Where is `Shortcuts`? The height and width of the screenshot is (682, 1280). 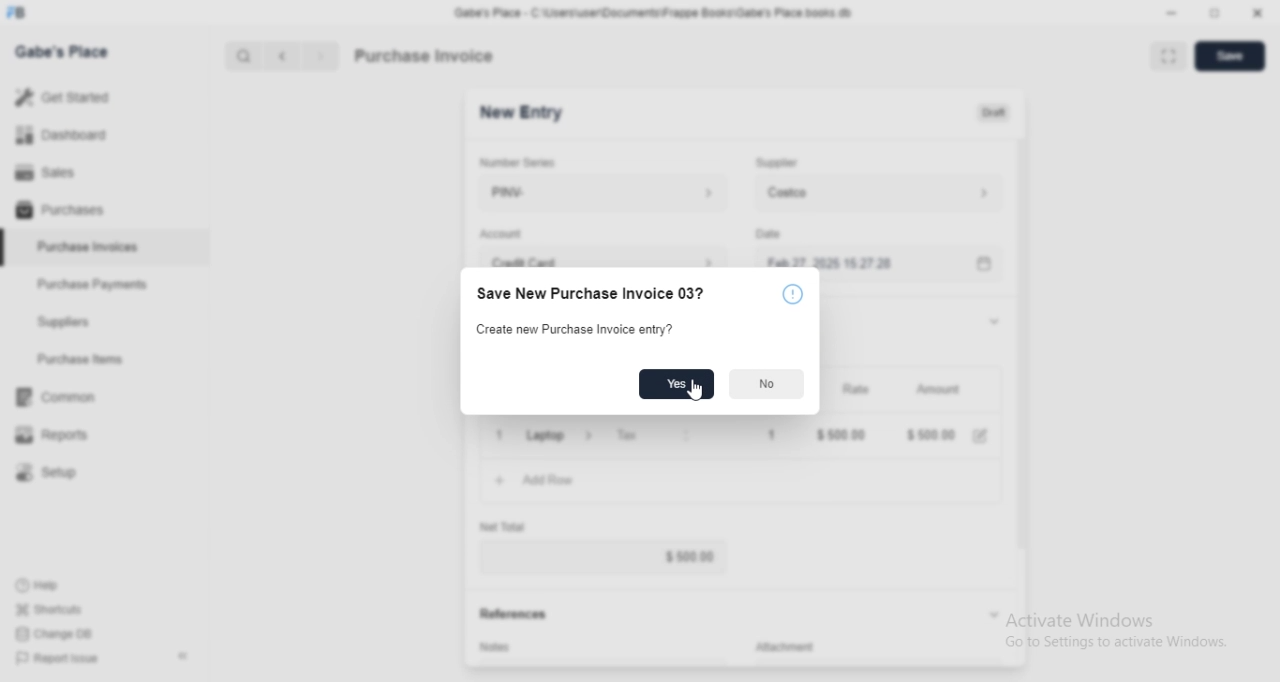
Shortcuts is located at coordinates (50, 609).